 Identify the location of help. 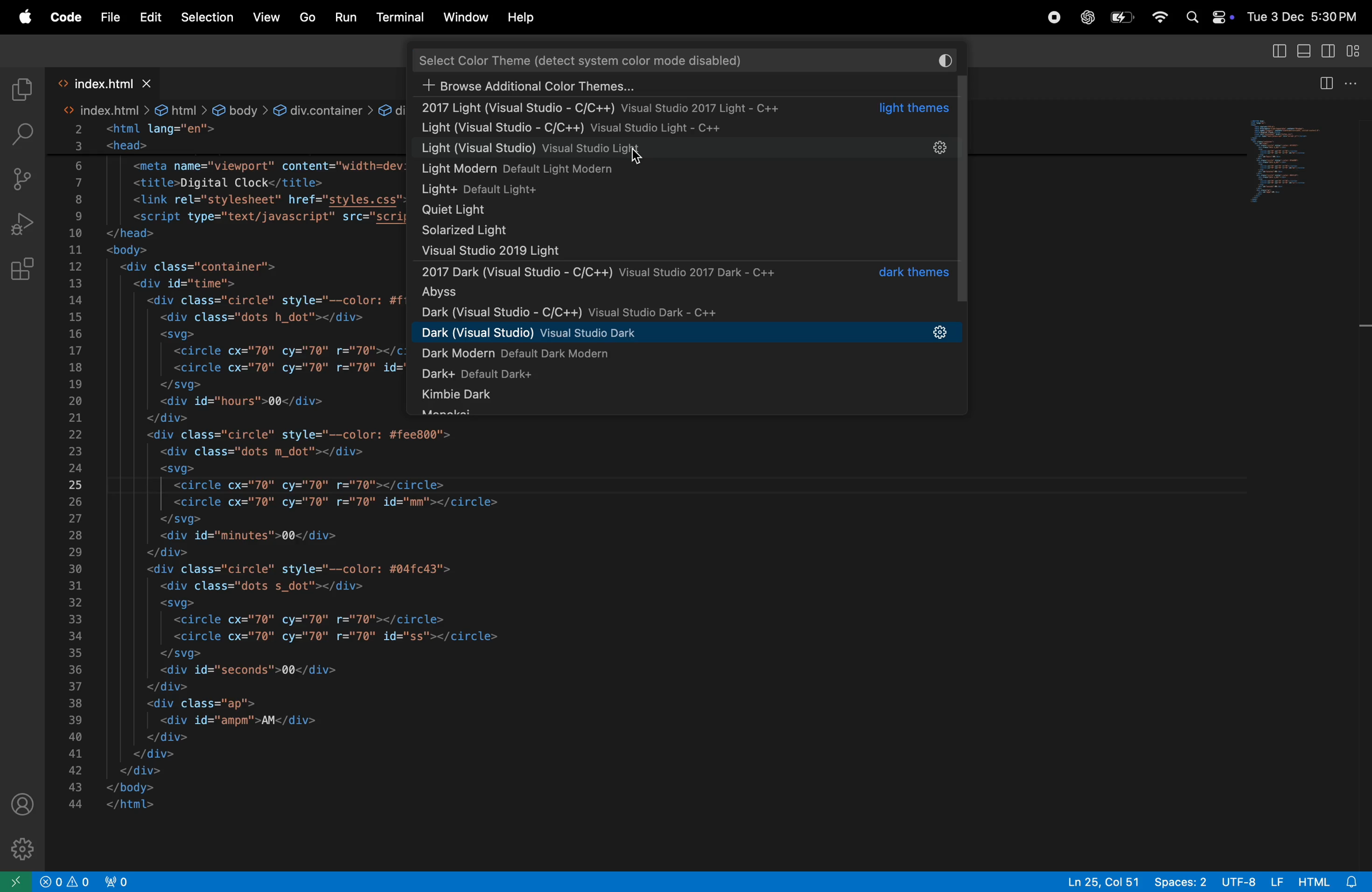
(524, 16).